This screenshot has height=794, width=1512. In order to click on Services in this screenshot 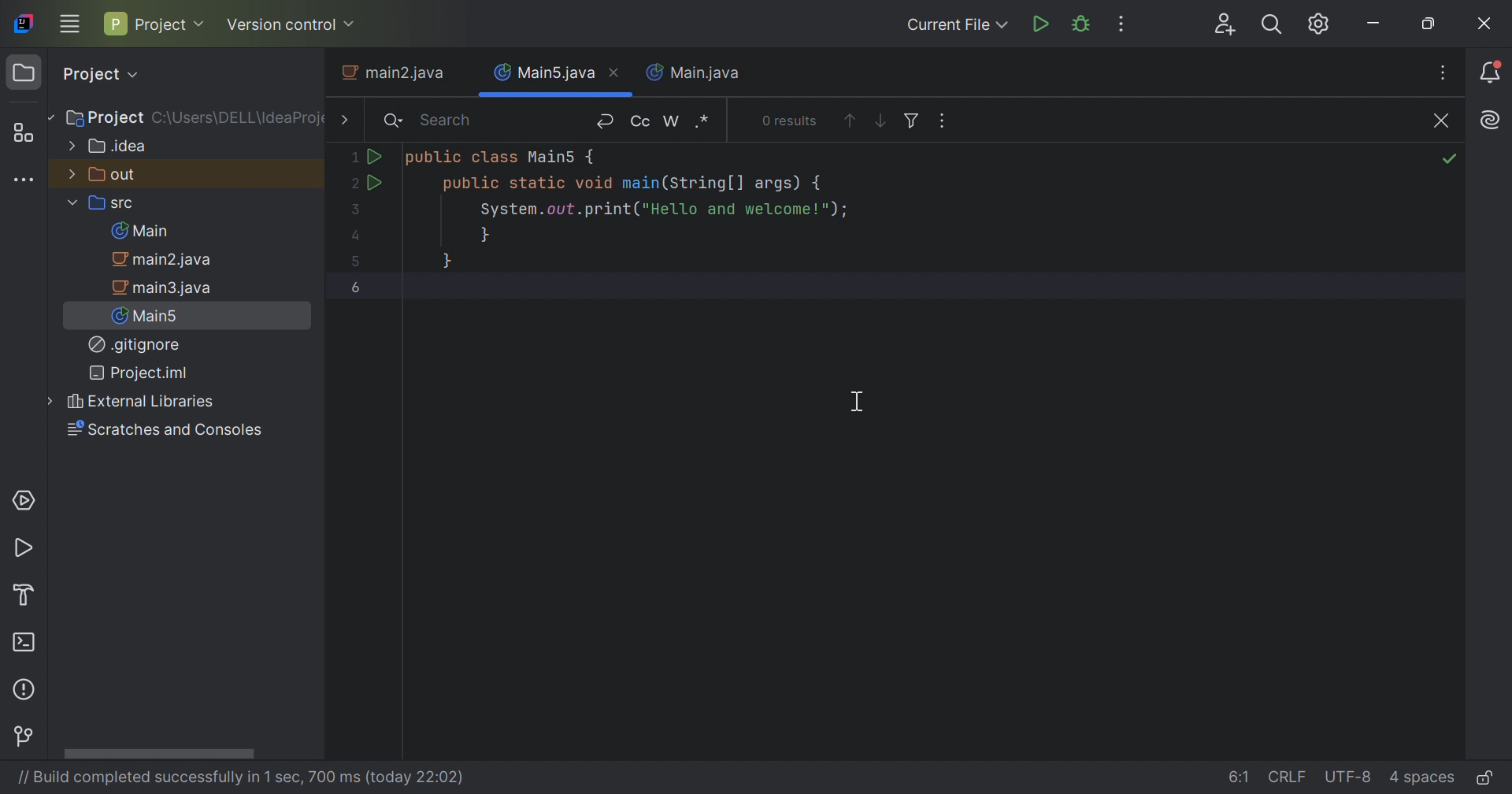, I will do `click(22, 499)`.